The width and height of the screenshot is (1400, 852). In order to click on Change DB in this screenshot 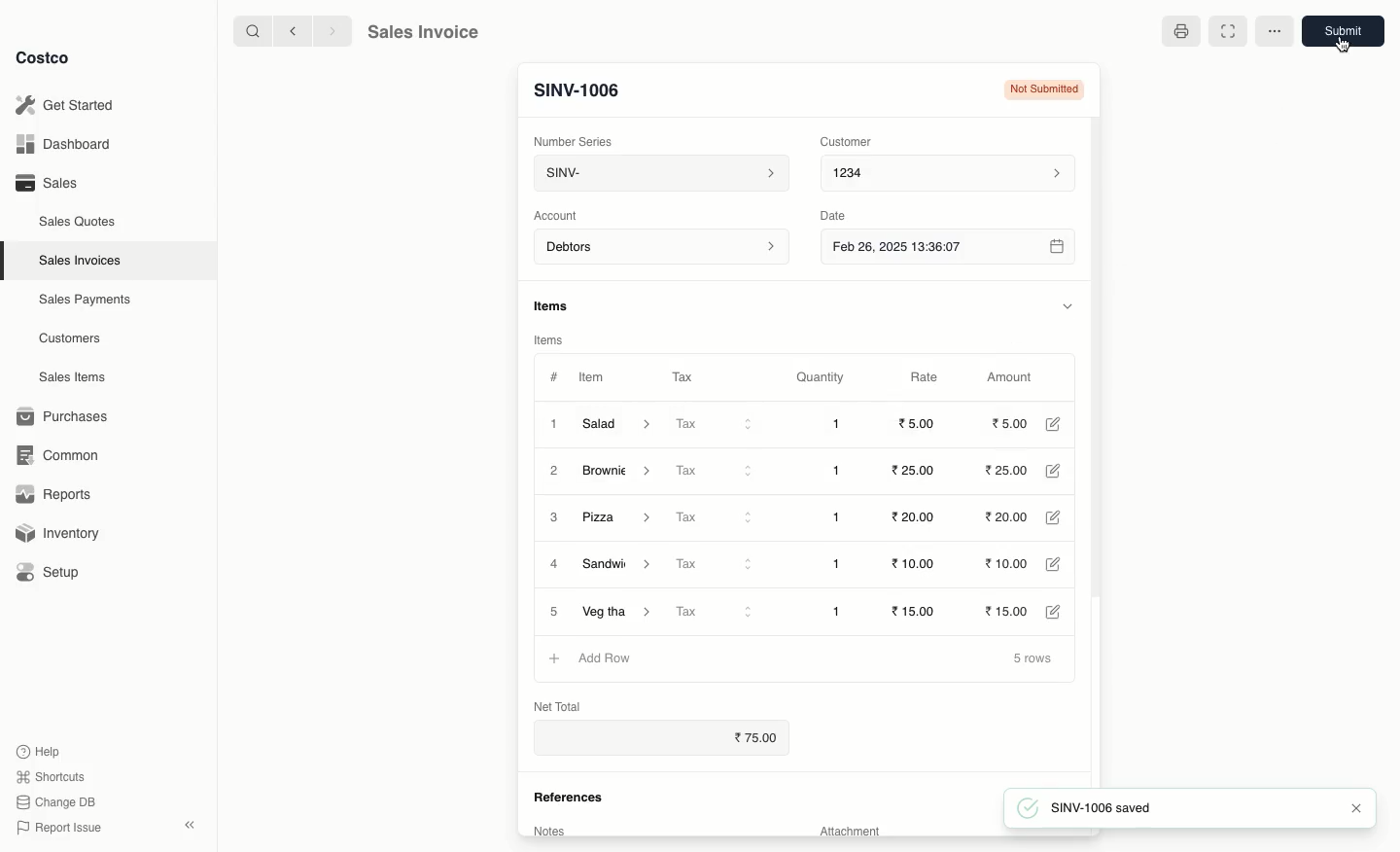, I will do `click(52, 800)`.